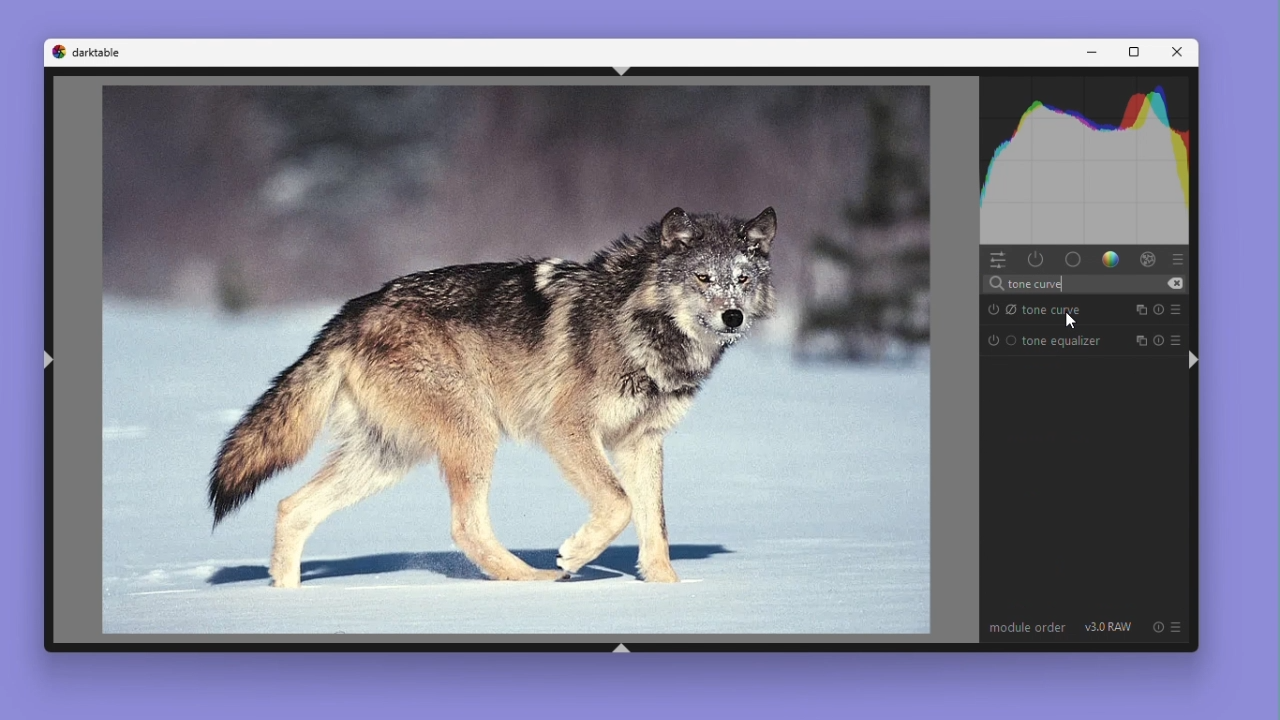  What do you see at coordinates (1158, 310) in the screenshot?
I see `Reset parameters` at bounding box center [1158, 310].